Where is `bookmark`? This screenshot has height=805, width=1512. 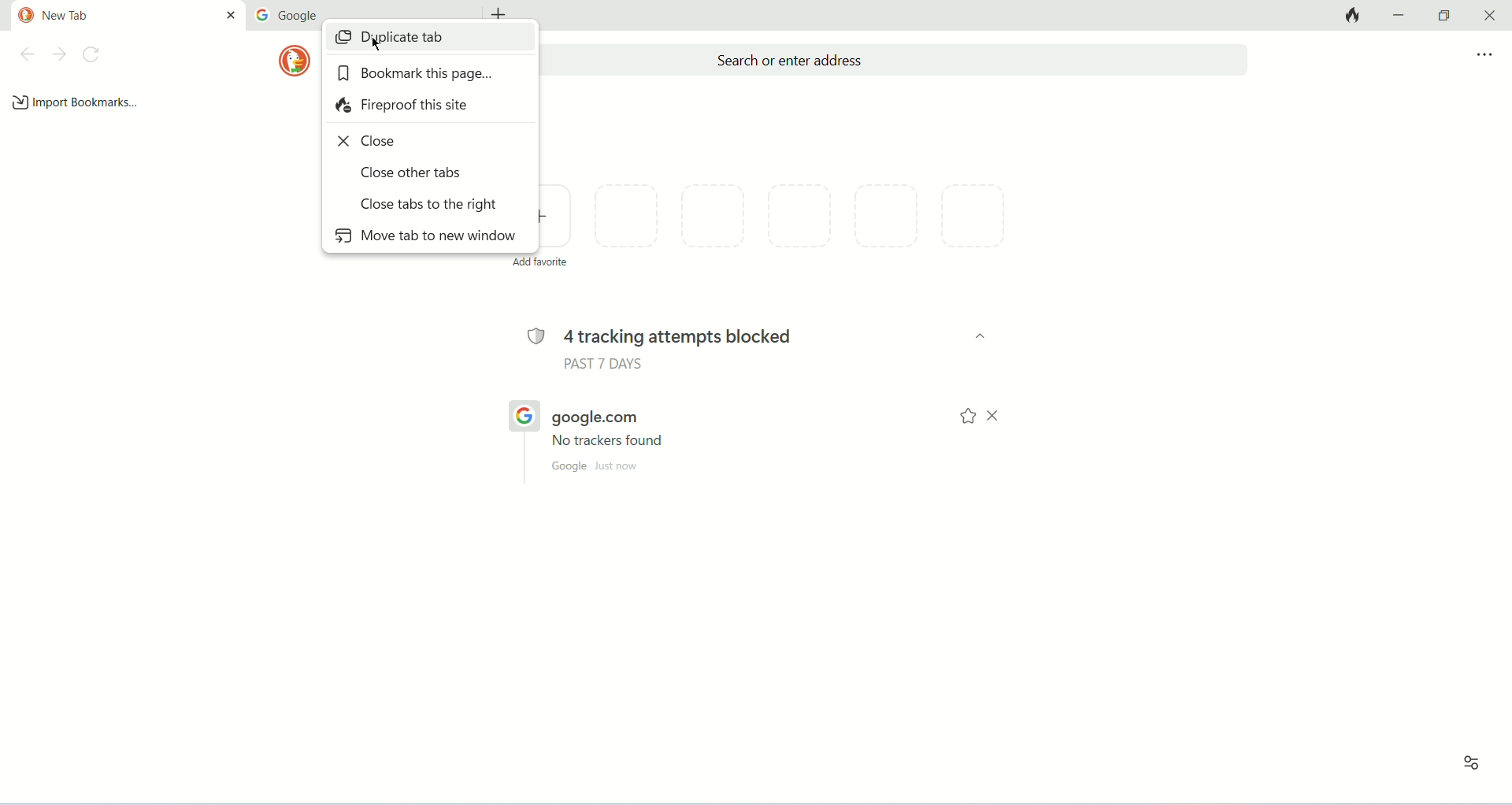
bookmark is located at coordinates (966, 418).